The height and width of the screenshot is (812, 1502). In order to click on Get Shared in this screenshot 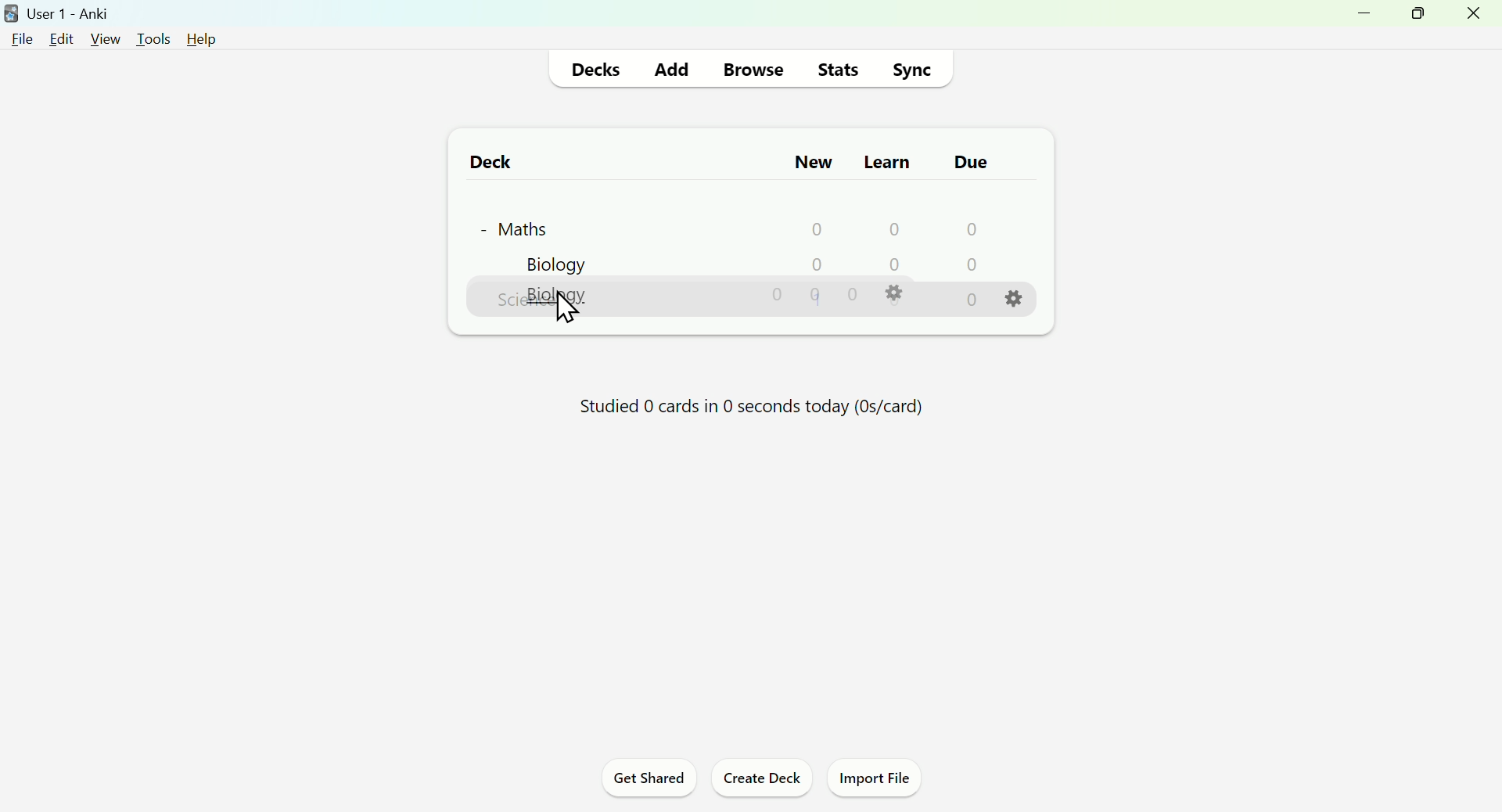, I will do `click(650, 780)`.